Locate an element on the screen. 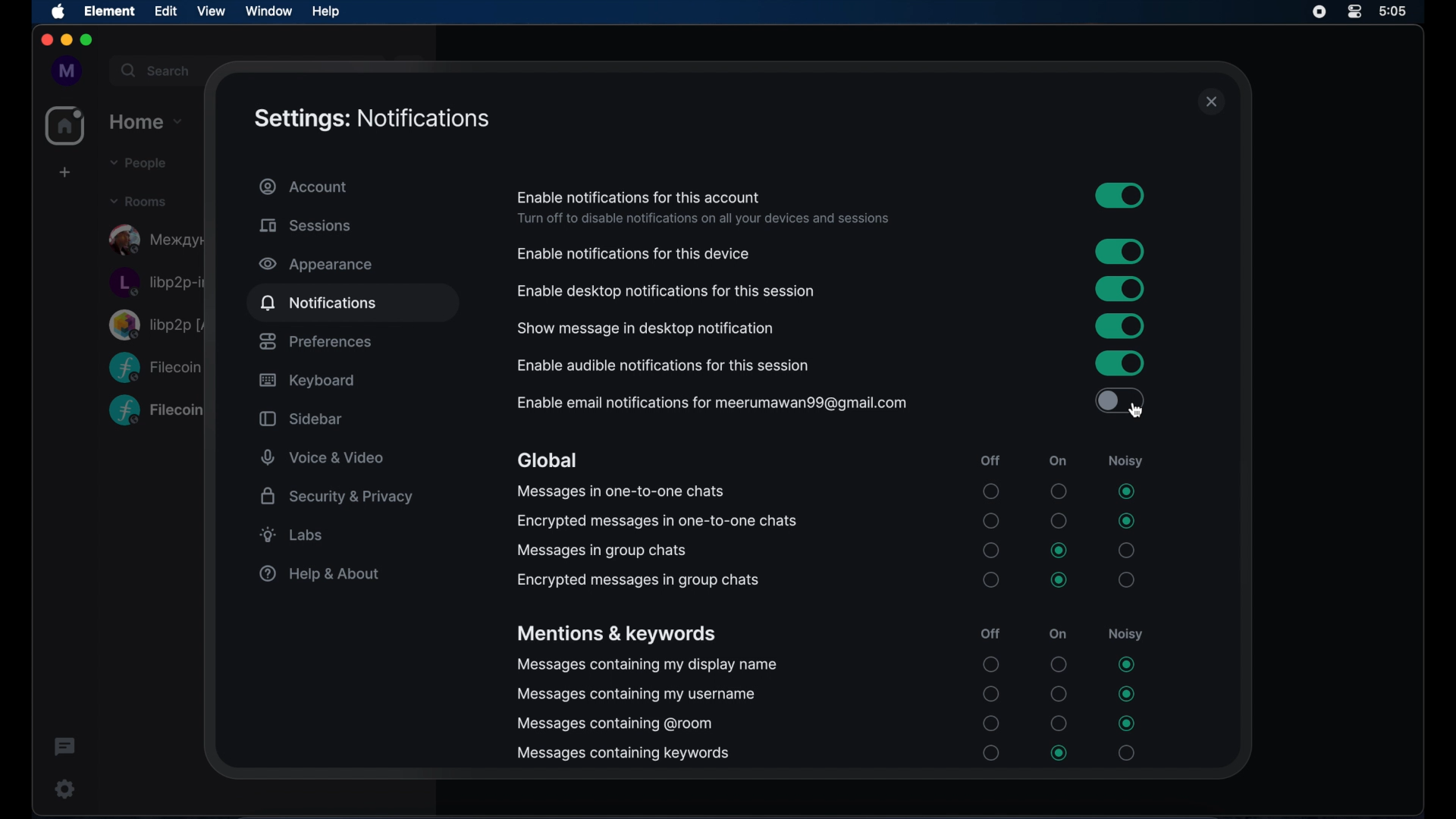 The height and width of the screenshot is (819, 1456). toggle button is located at coordinates (1119, 363).